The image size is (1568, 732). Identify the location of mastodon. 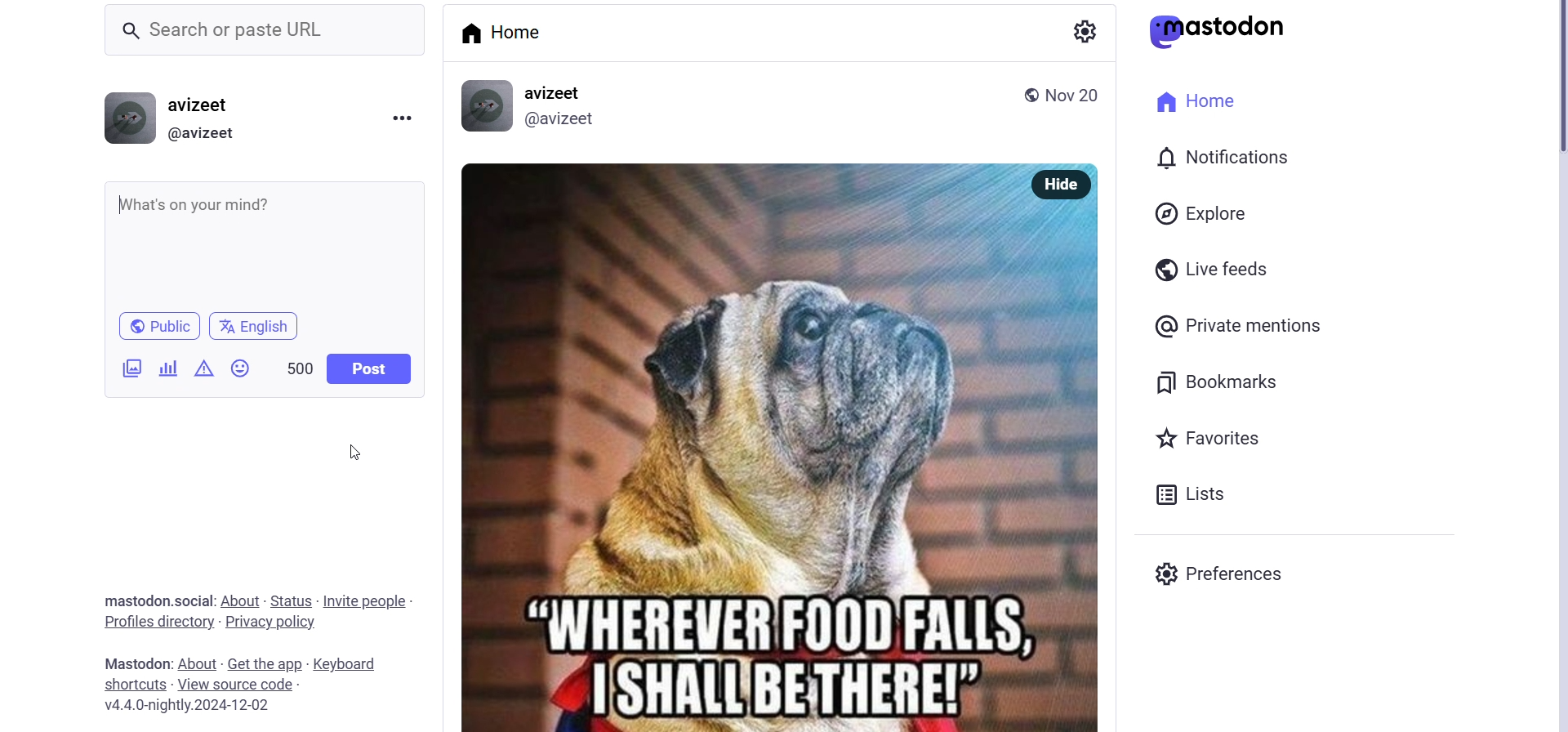
(1222, 28).